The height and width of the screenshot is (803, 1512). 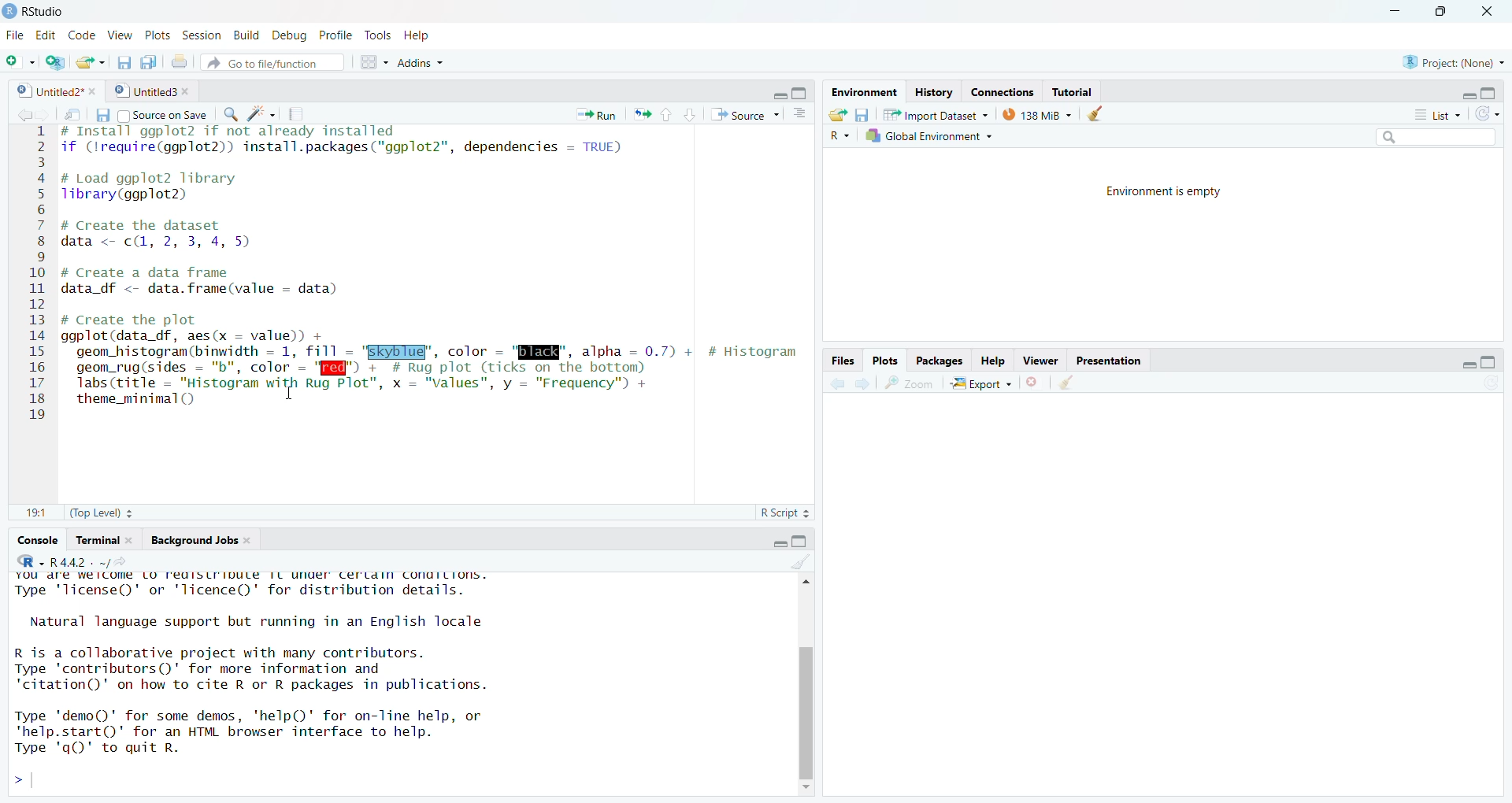 What do you see at coordinates (121, 62) in the screenshot?
I see `Save current document` at bounding box center [121, 62].